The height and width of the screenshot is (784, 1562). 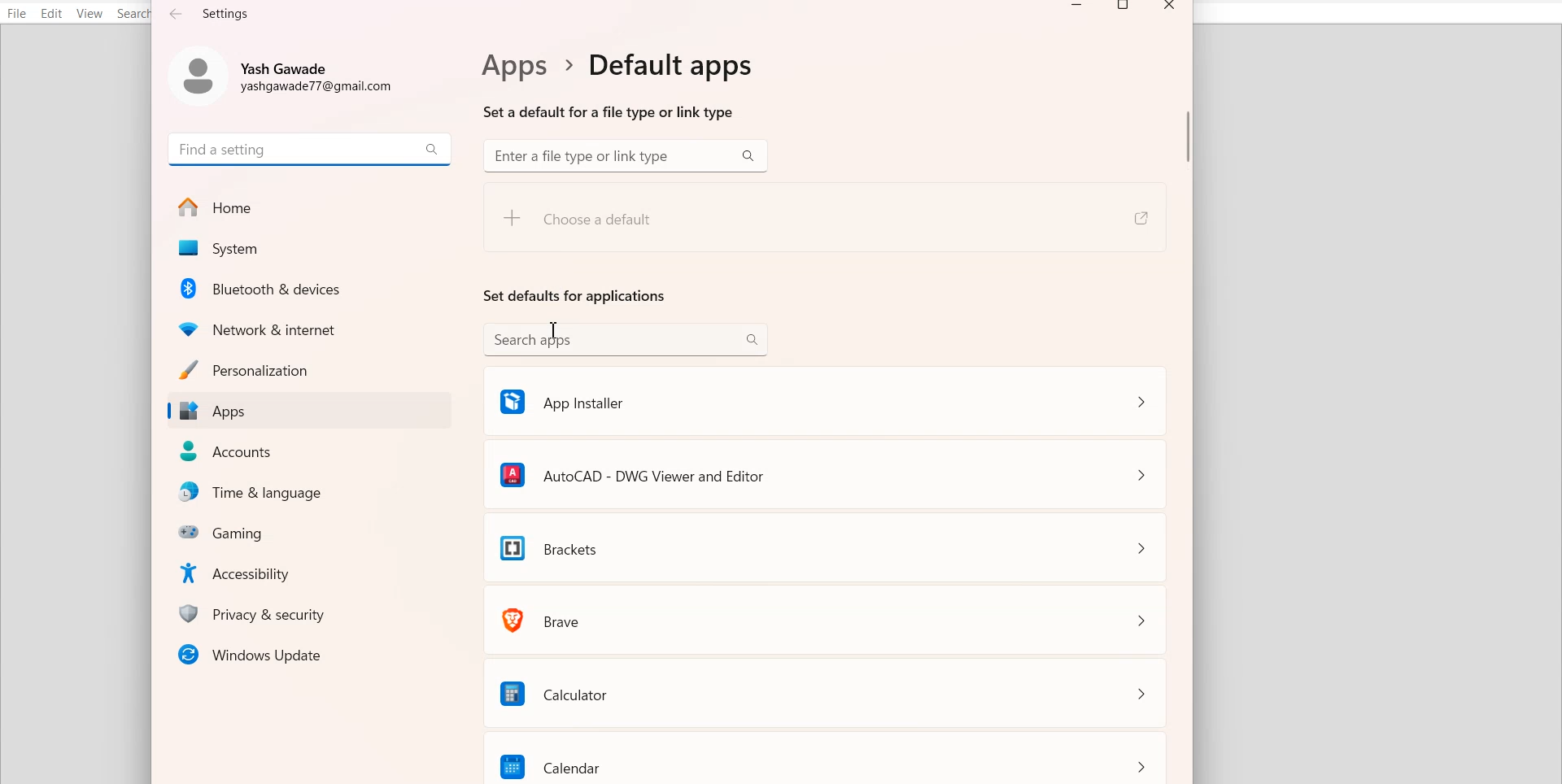 I want to click on Accessibility, so click(x=313, y=572).